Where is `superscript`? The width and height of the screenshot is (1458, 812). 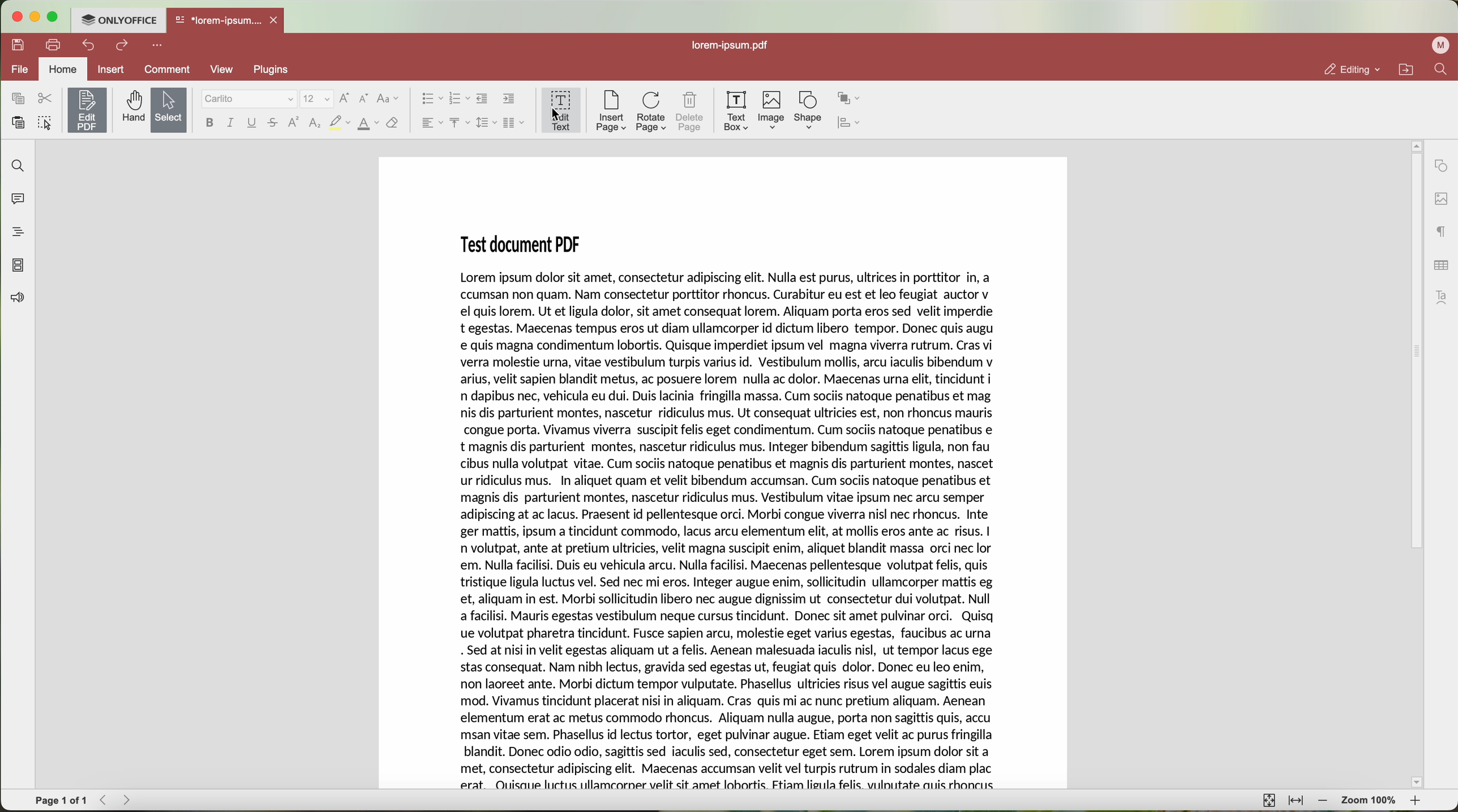 superscript is located at coordinates (293, 122).